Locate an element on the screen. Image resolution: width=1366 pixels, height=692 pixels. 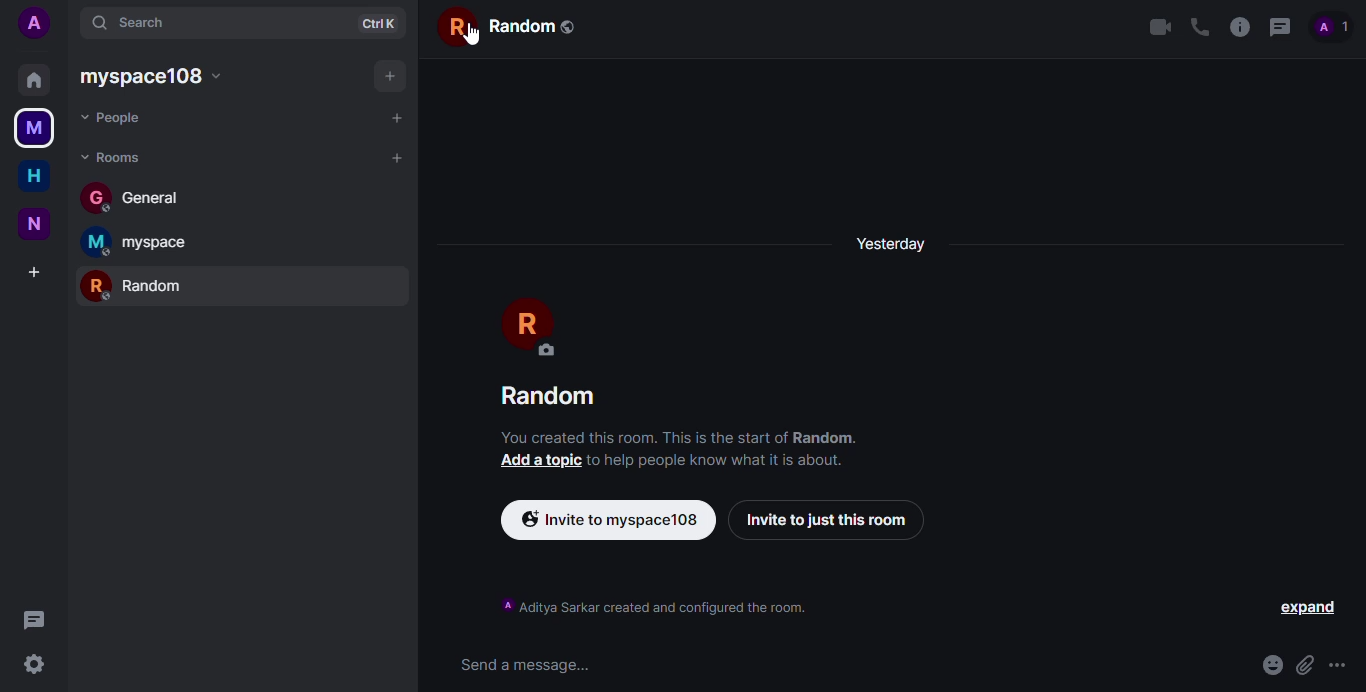
new is located at coordinates (33, 225).